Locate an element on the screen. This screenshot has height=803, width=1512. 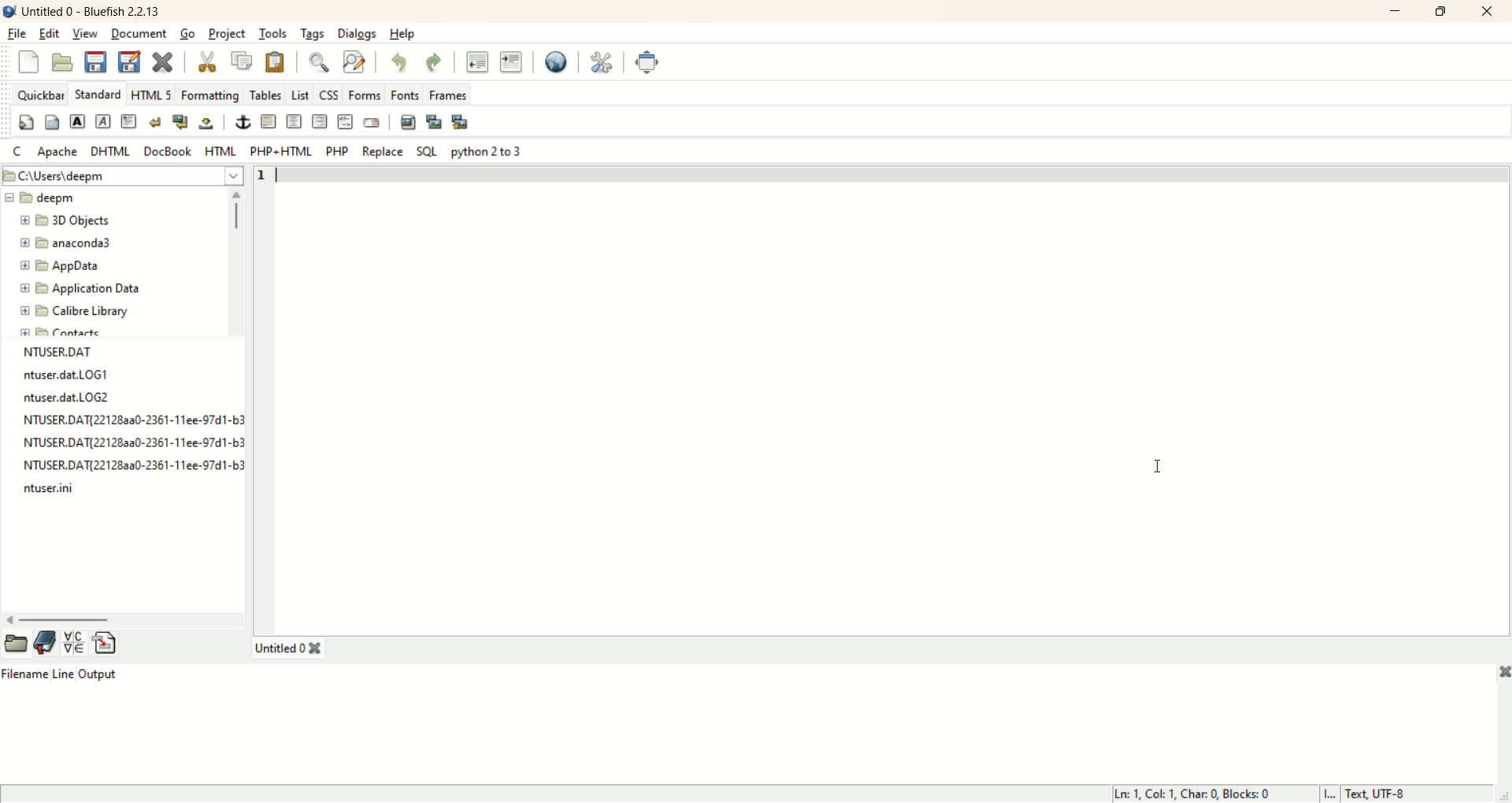
contacts is located at coordinates (69, 333).